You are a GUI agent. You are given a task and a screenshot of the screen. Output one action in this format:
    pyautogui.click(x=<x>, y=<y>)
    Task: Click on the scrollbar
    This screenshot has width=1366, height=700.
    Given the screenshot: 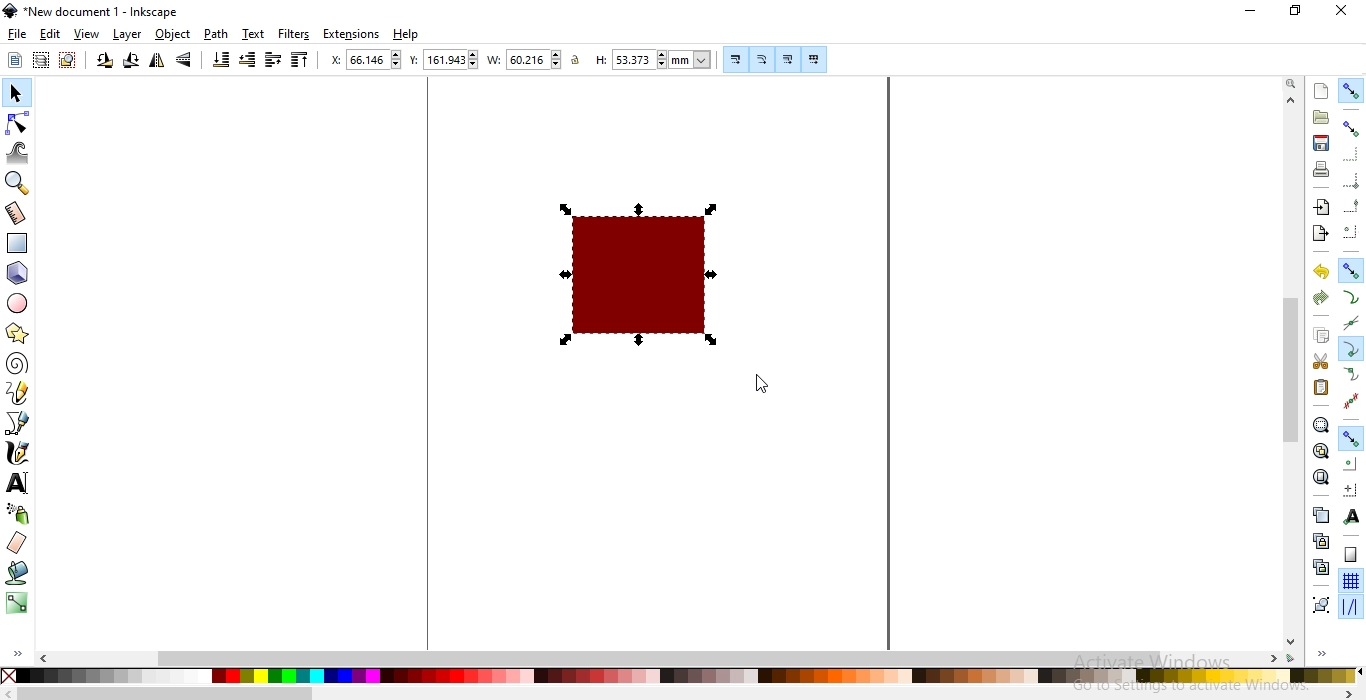 What is the action you would take?
    pyautogui.click(x=1291, y=368)
    